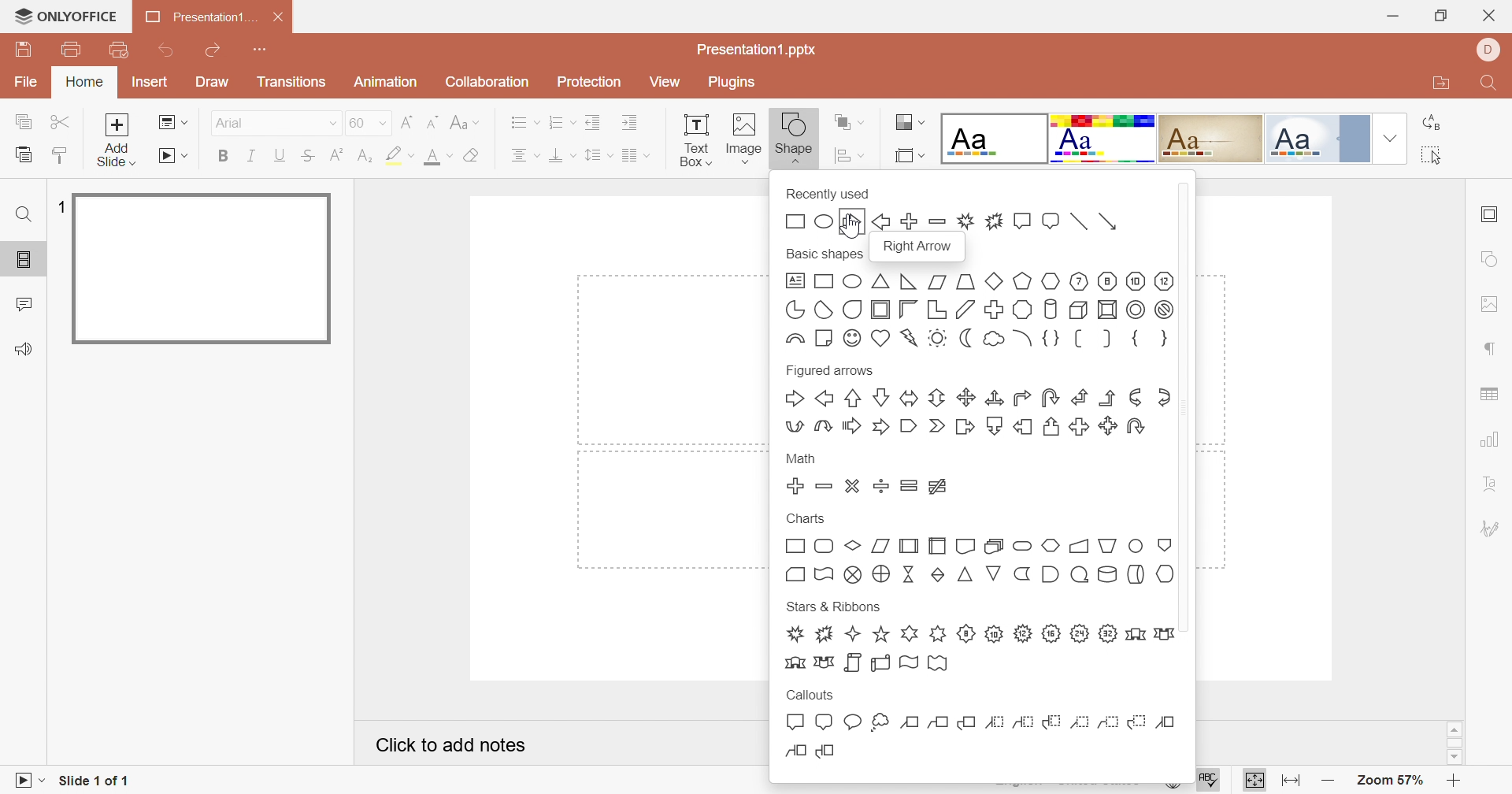 The image size is (1512, 794). Describe the element at coordinates (1493, 258) in the screenshot. I see `Shape settings` at that location.